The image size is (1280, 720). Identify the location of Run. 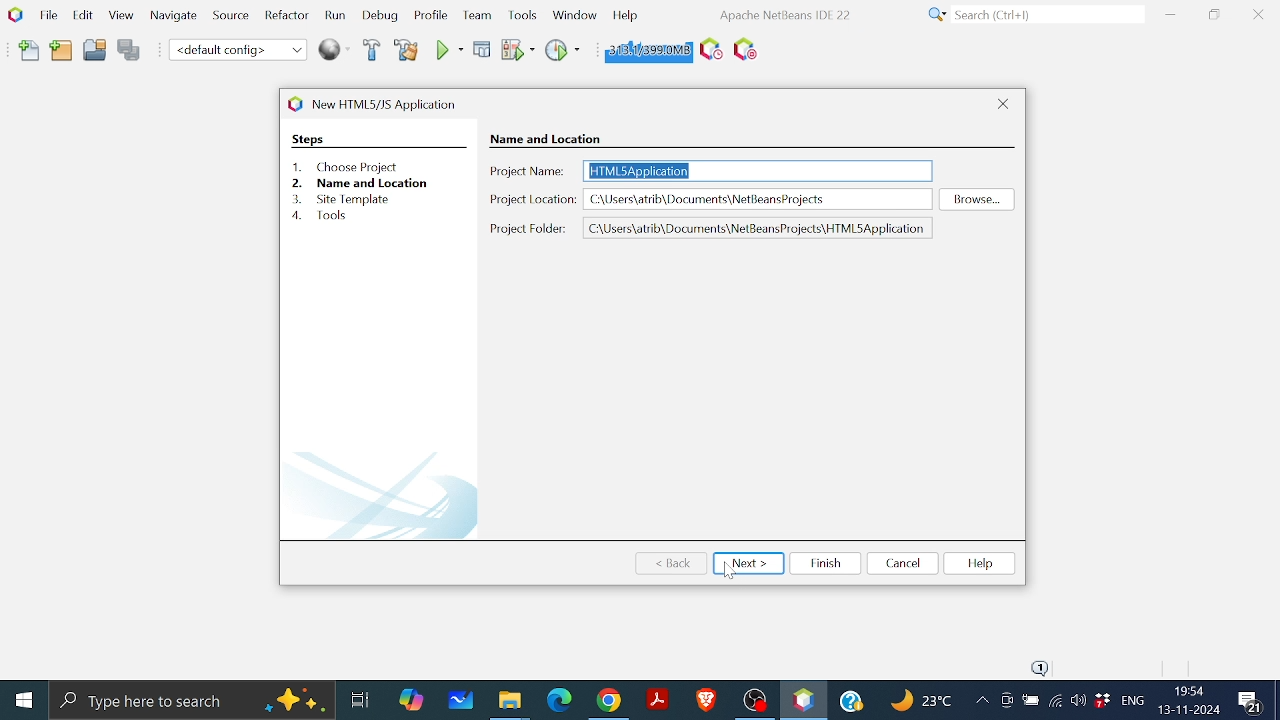
(334, 16).